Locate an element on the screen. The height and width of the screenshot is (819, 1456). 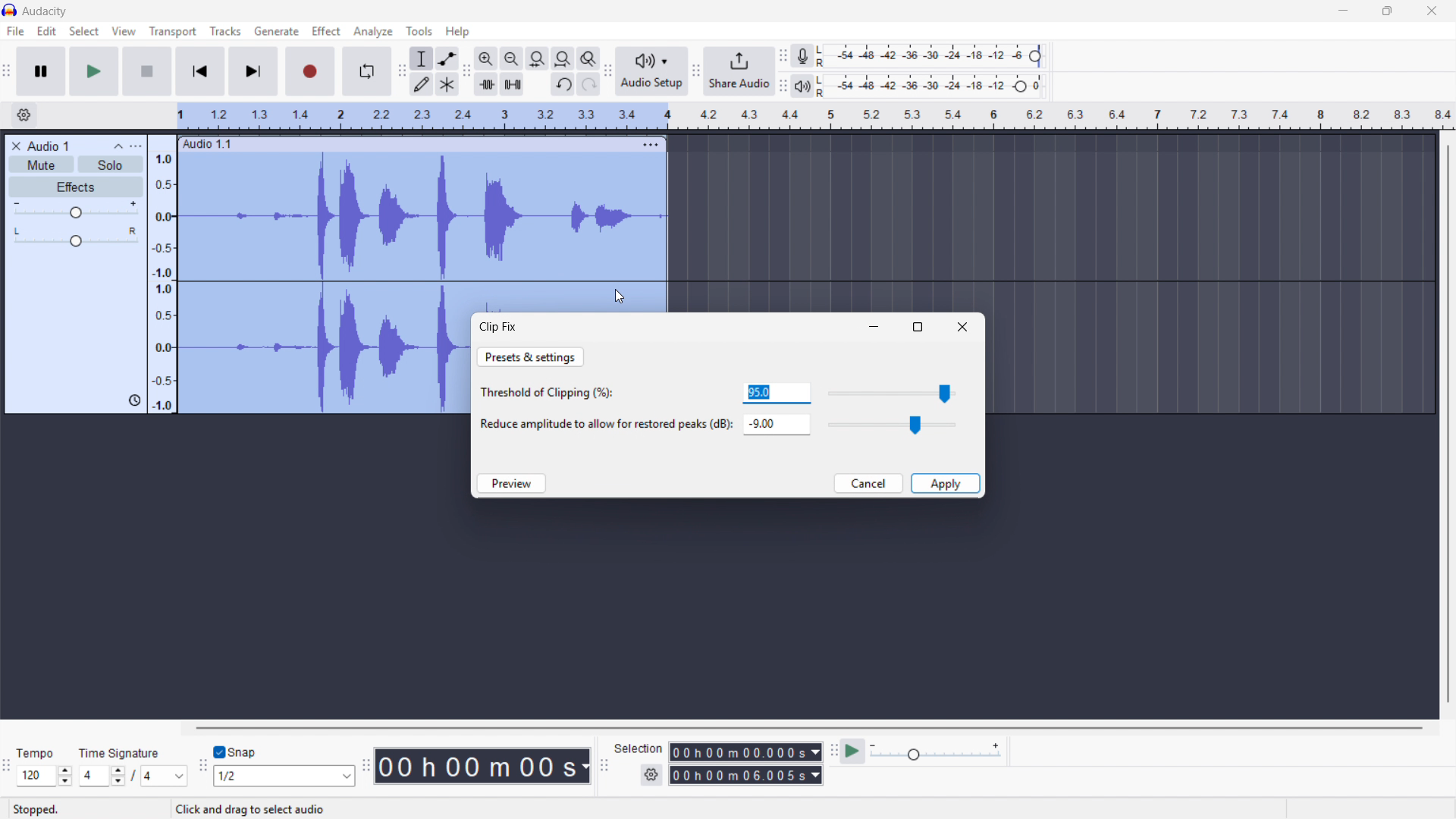
maximise  is located at coordinates (918, 327).